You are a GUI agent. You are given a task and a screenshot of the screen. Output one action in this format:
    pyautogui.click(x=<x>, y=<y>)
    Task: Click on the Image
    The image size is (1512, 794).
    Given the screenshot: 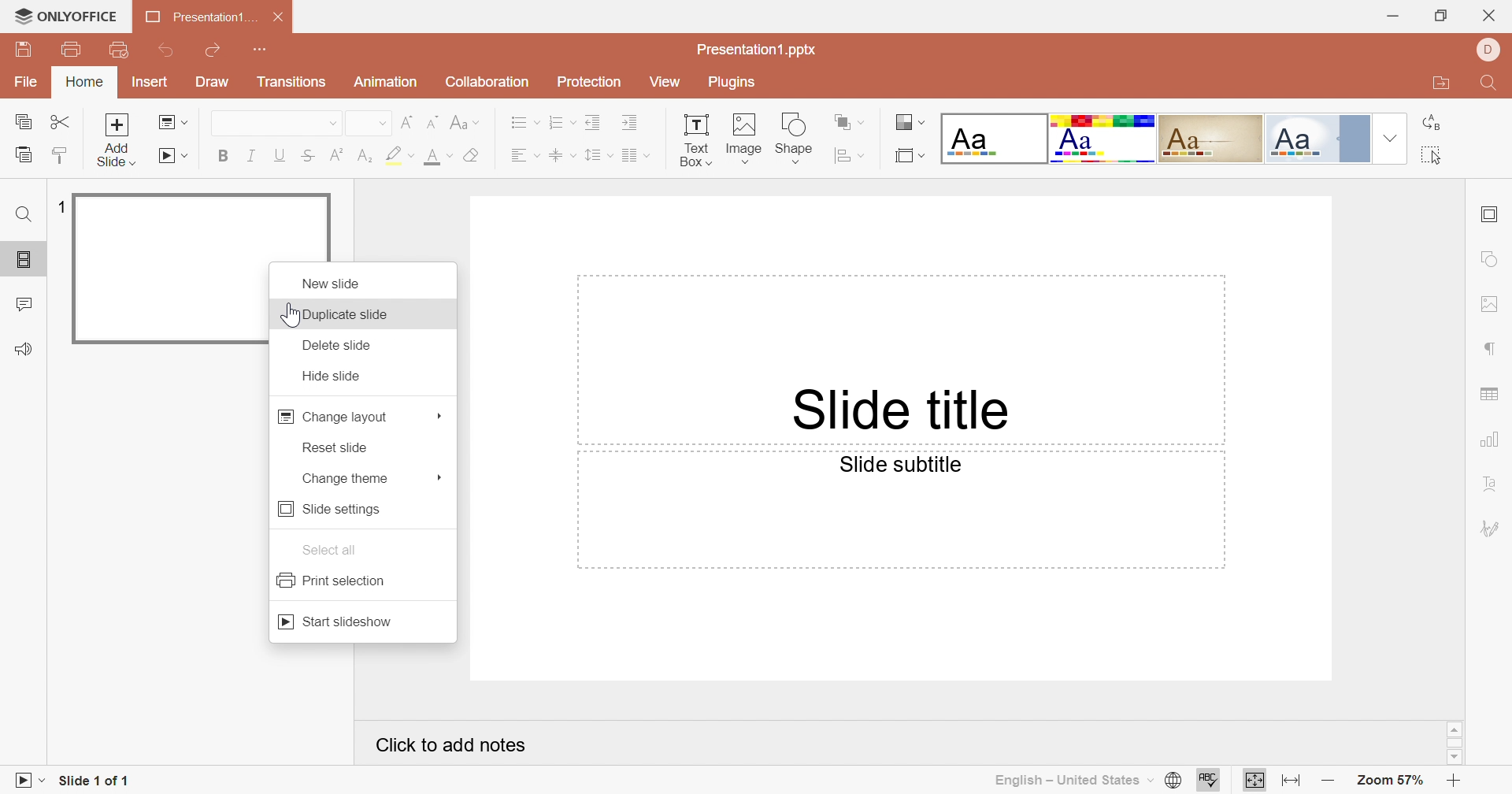 What is the action you would take?
    pyautogui.click(x=744, y=136)
    